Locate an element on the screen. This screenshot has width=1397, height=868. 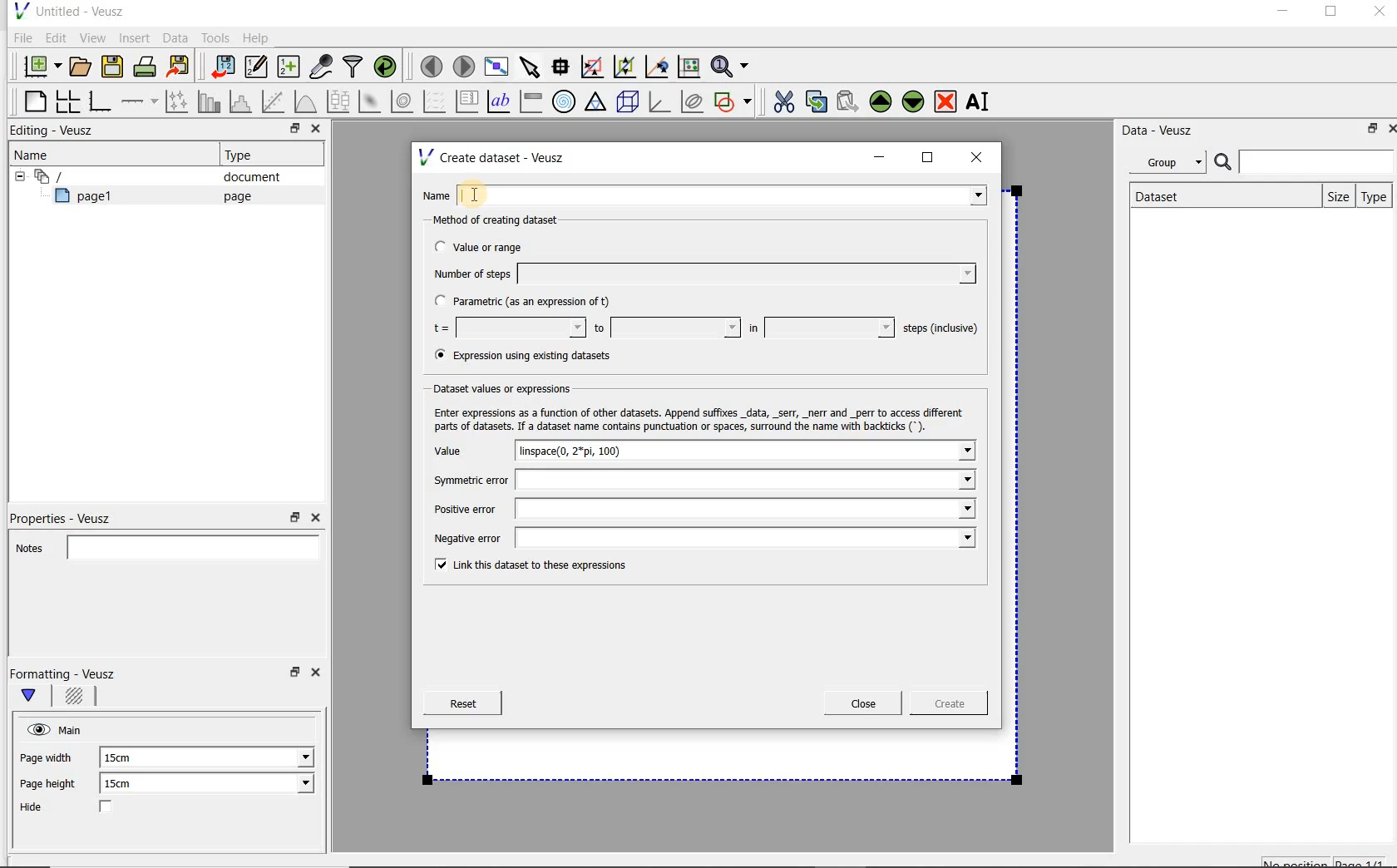
Close is located at coordinates (863, 703).